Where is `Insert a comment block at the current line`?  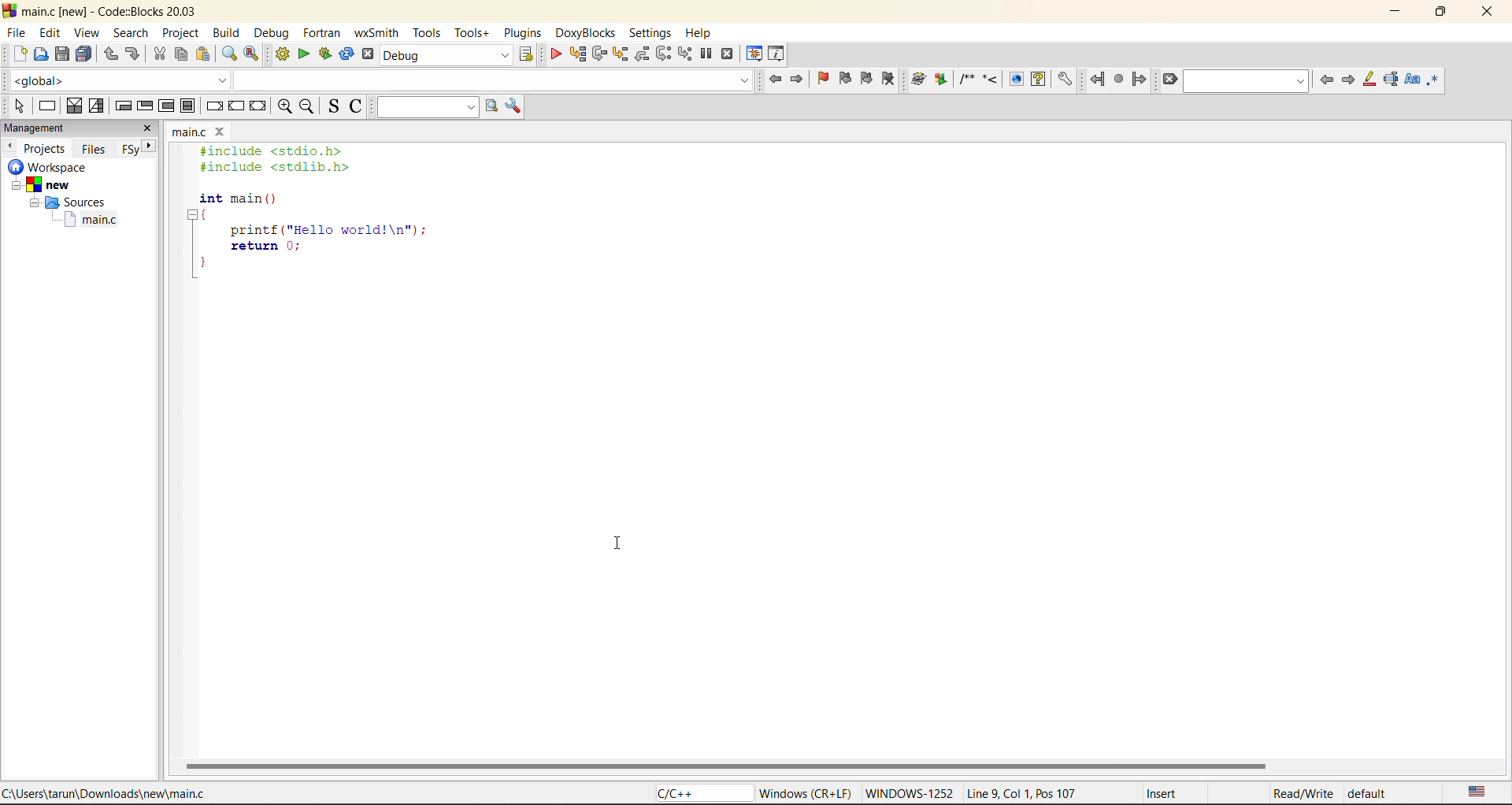 Insert a comment block at the current line is located at coordinates (966, 80).